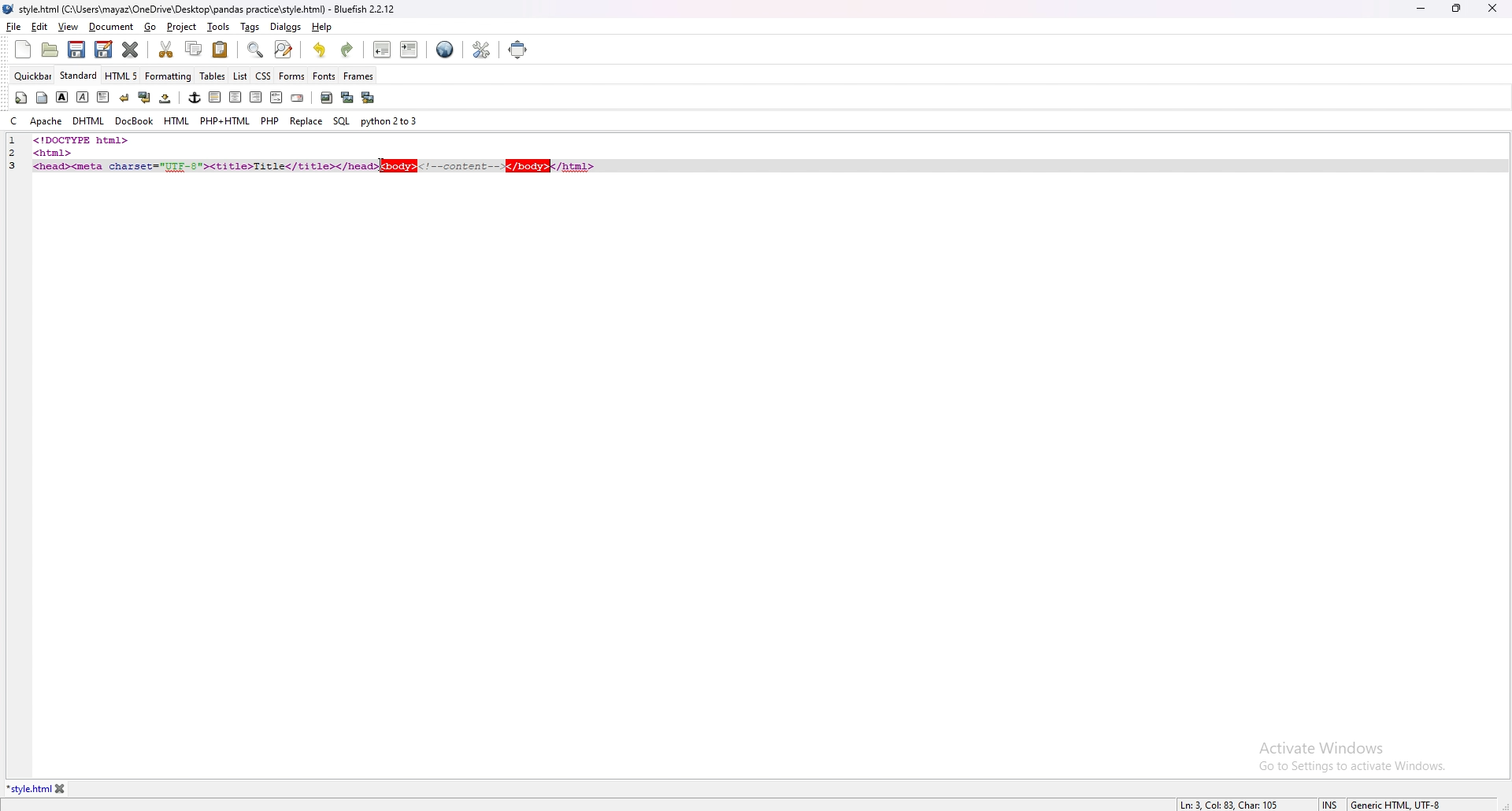 This screenshot has height=811, width=1512. I want to click on new, so click(23, 50).